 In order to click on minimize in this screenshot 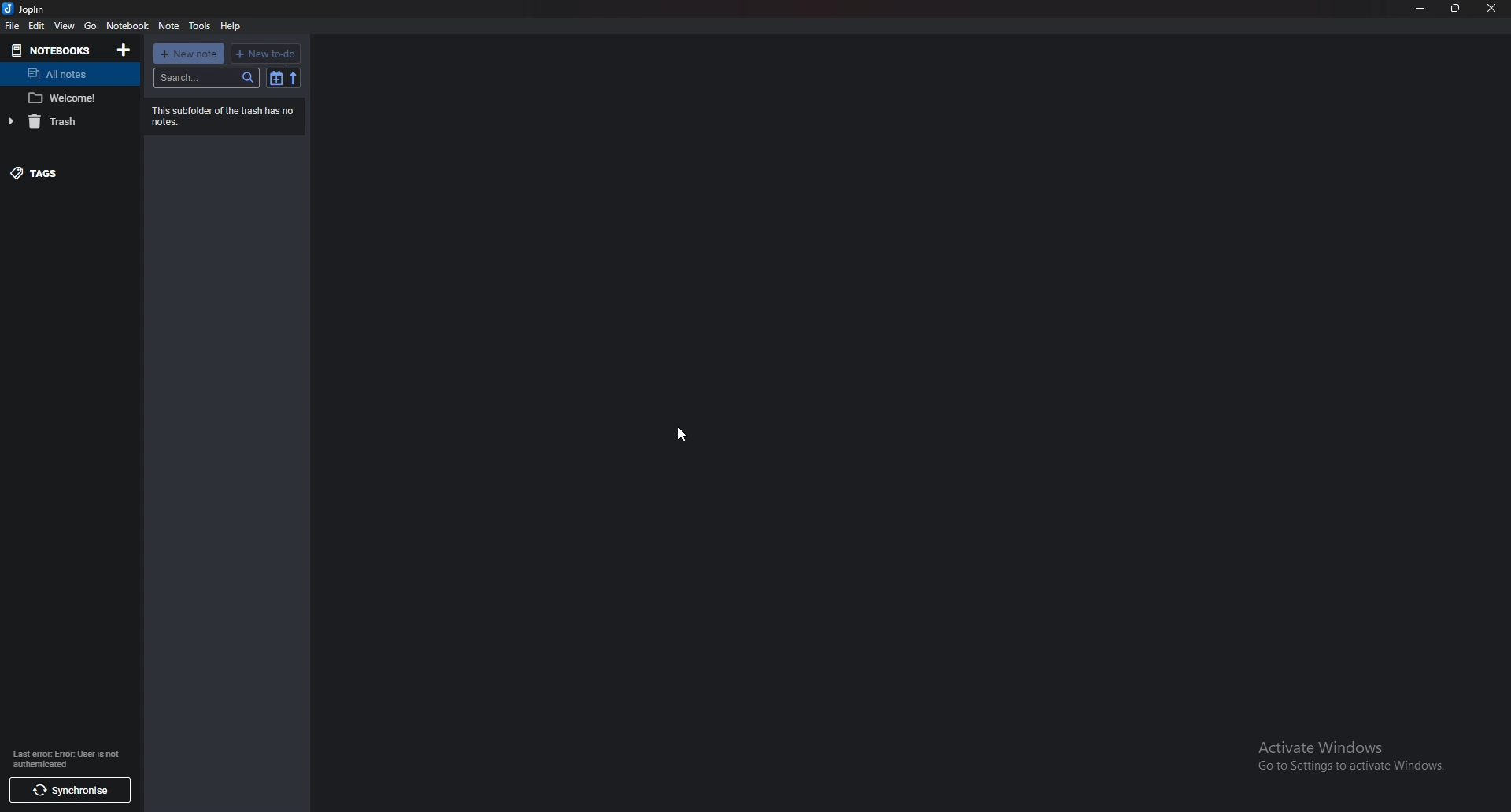, I will do `click(1421, 7)`.